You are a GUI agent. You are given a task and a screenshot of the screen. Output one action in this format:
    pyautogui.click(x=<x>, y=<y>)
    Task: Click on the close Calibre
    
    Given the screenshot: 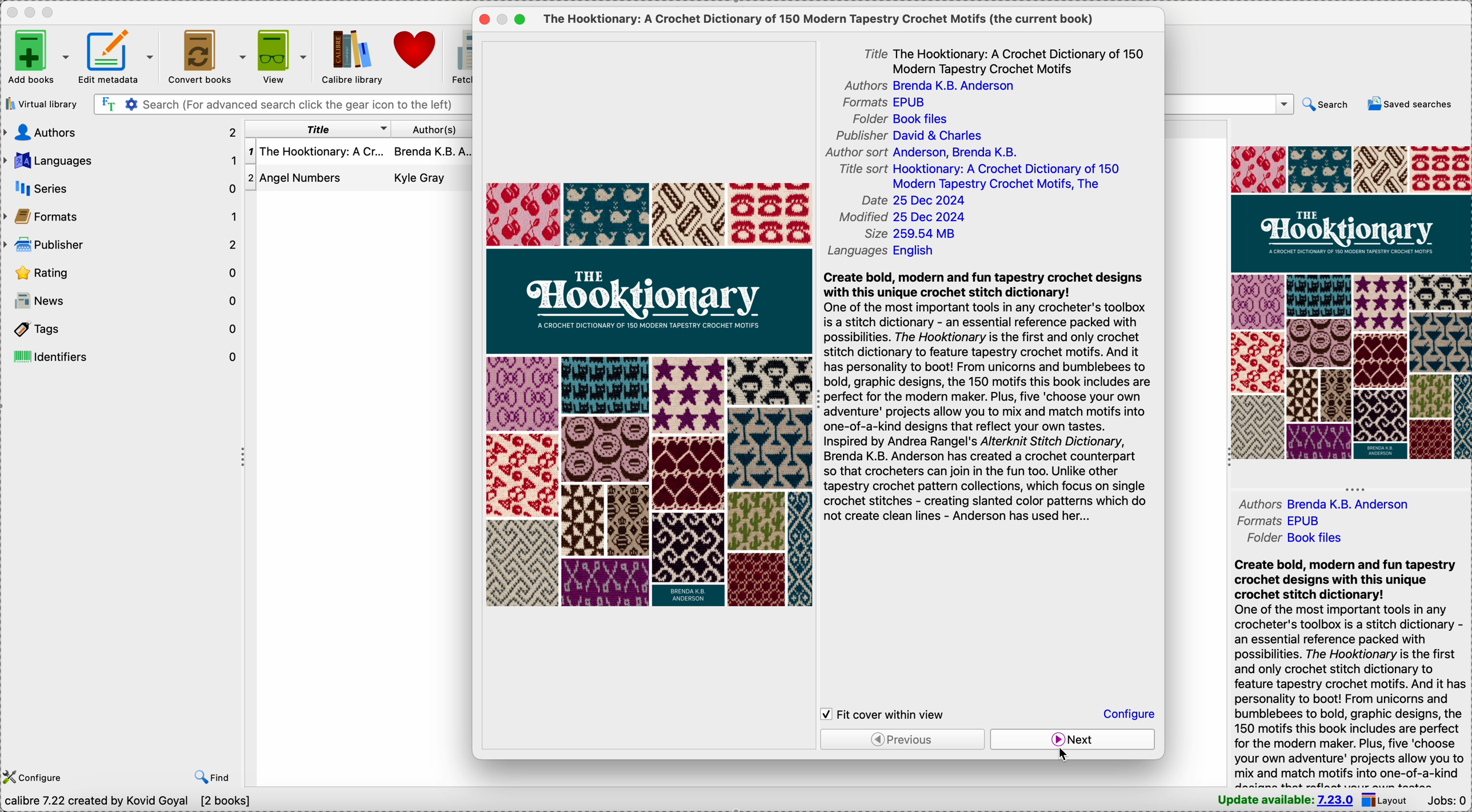 What is the action you would take?
    pyautogui.click(x=10, y=12)
    